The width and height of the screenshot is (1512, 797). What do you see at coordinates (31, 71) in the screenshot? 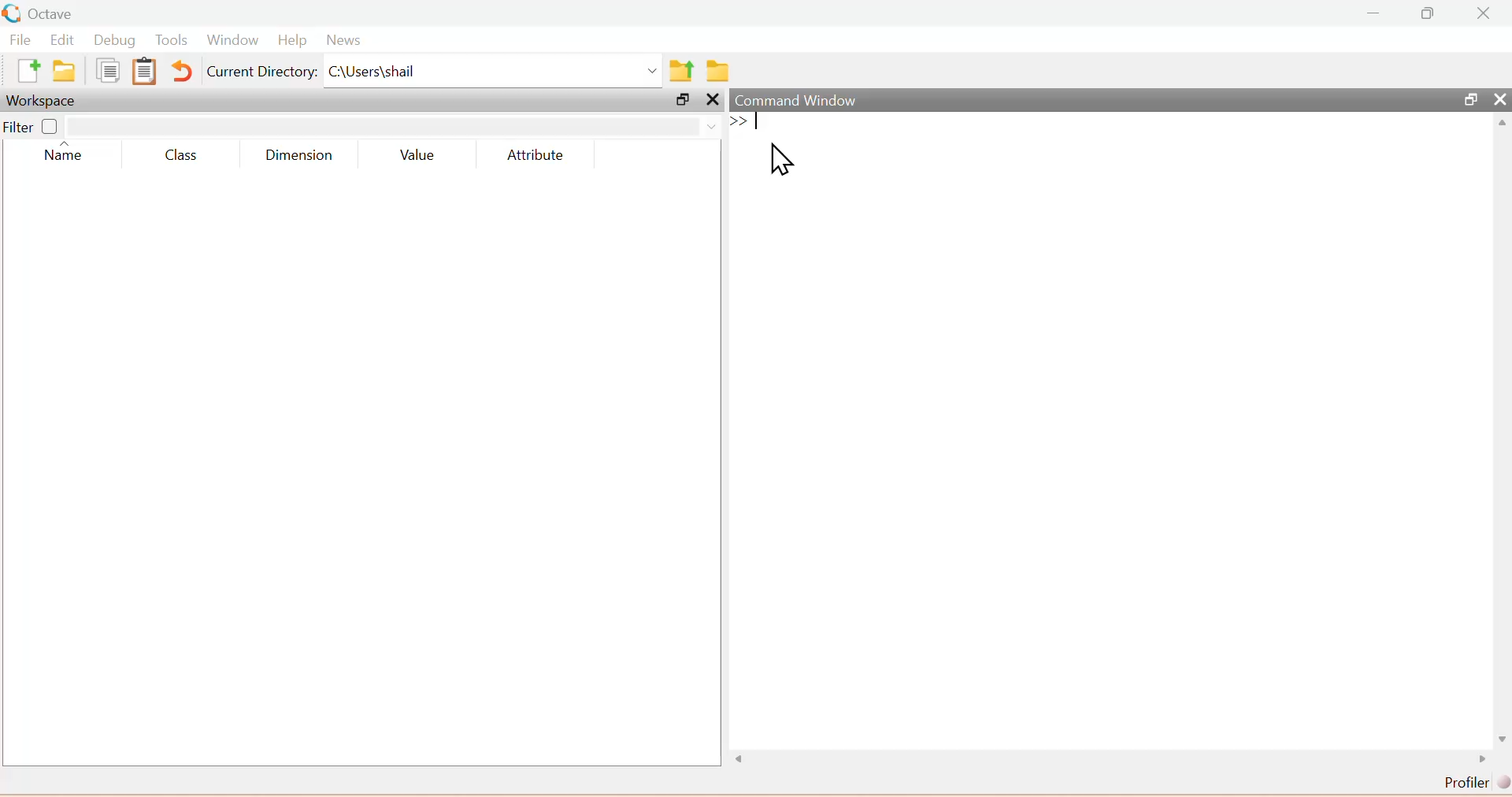
I see `new script` at bounding box center [31, 71].